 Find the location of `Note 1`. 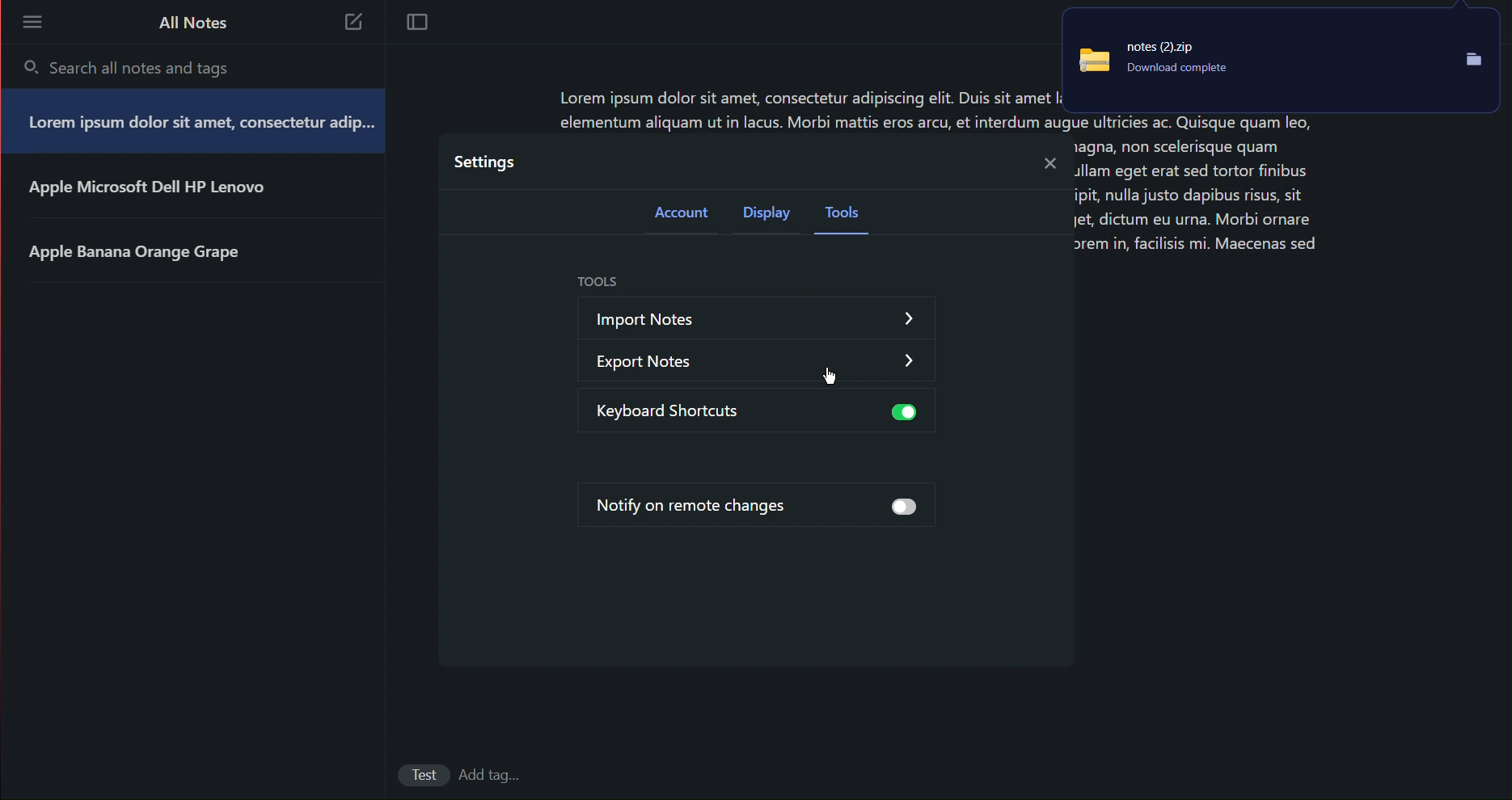

Note 1 is located at coordinates (193, 121).